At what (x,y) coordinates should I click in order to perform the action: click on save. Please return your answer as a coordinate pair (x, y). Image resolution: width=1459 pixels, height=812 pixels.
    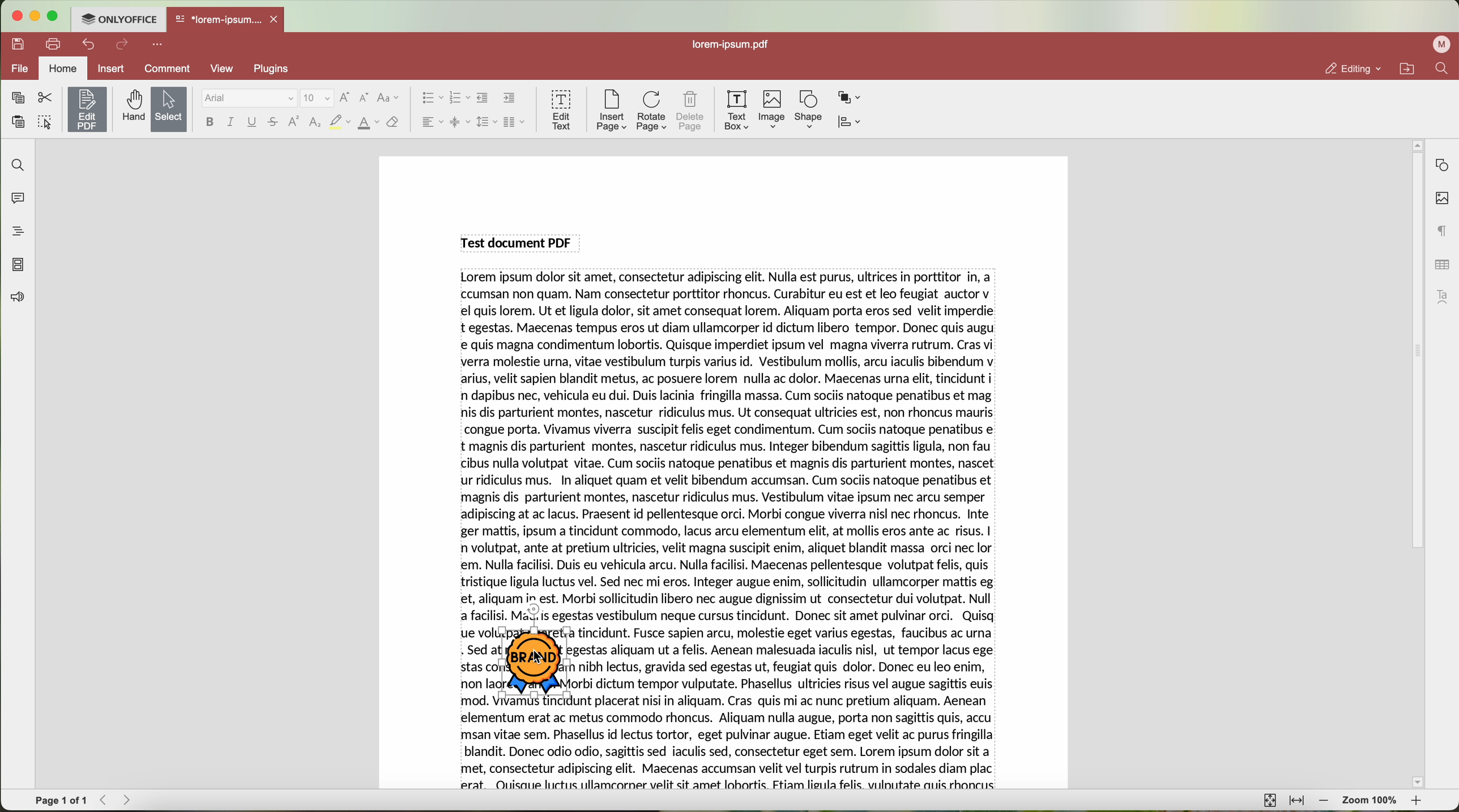
    Looking at the image, I should click on (15, 43).